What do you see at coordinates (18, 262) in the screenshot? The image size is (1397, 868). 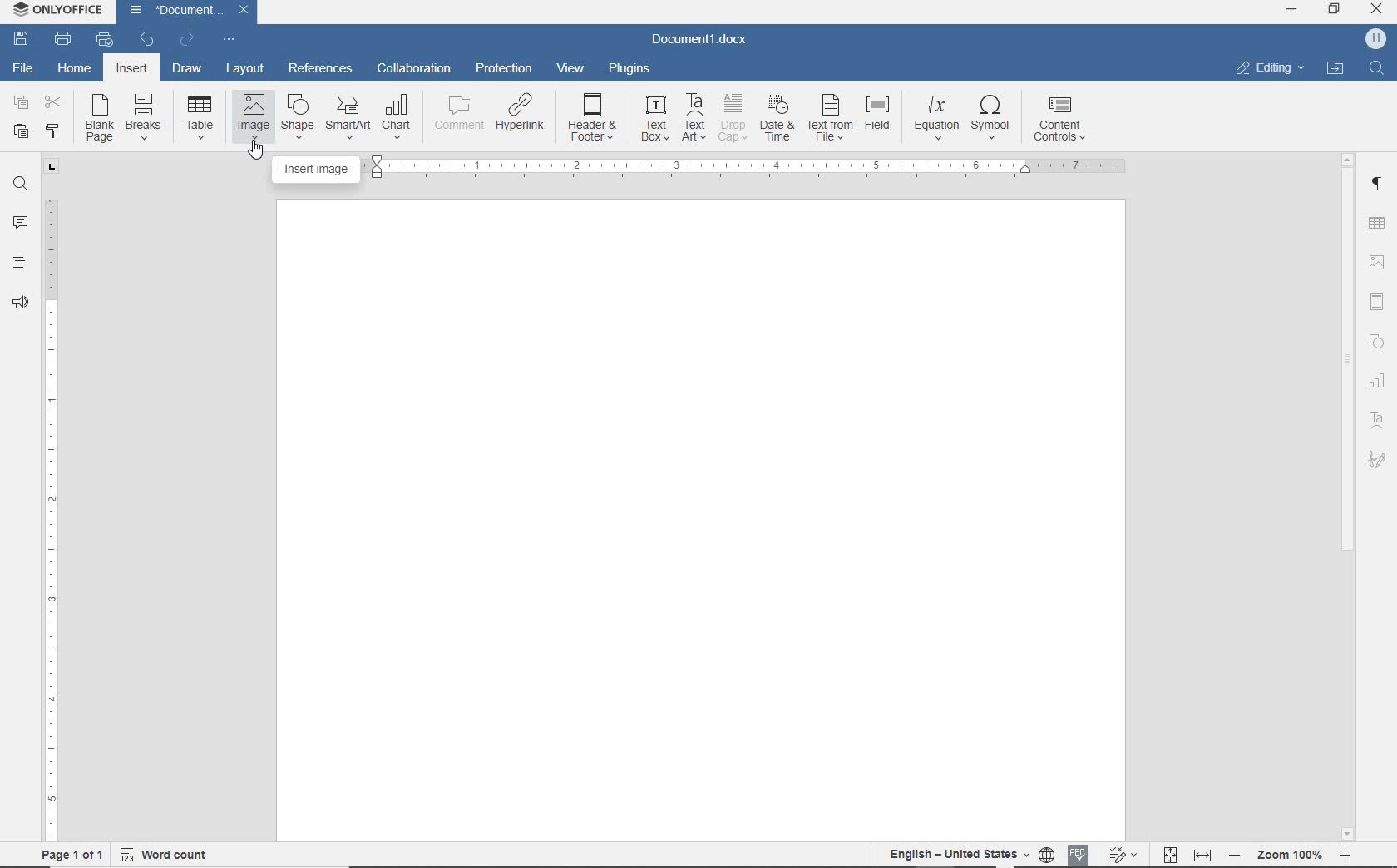 I see `headings` at bounding box center [18, 262].